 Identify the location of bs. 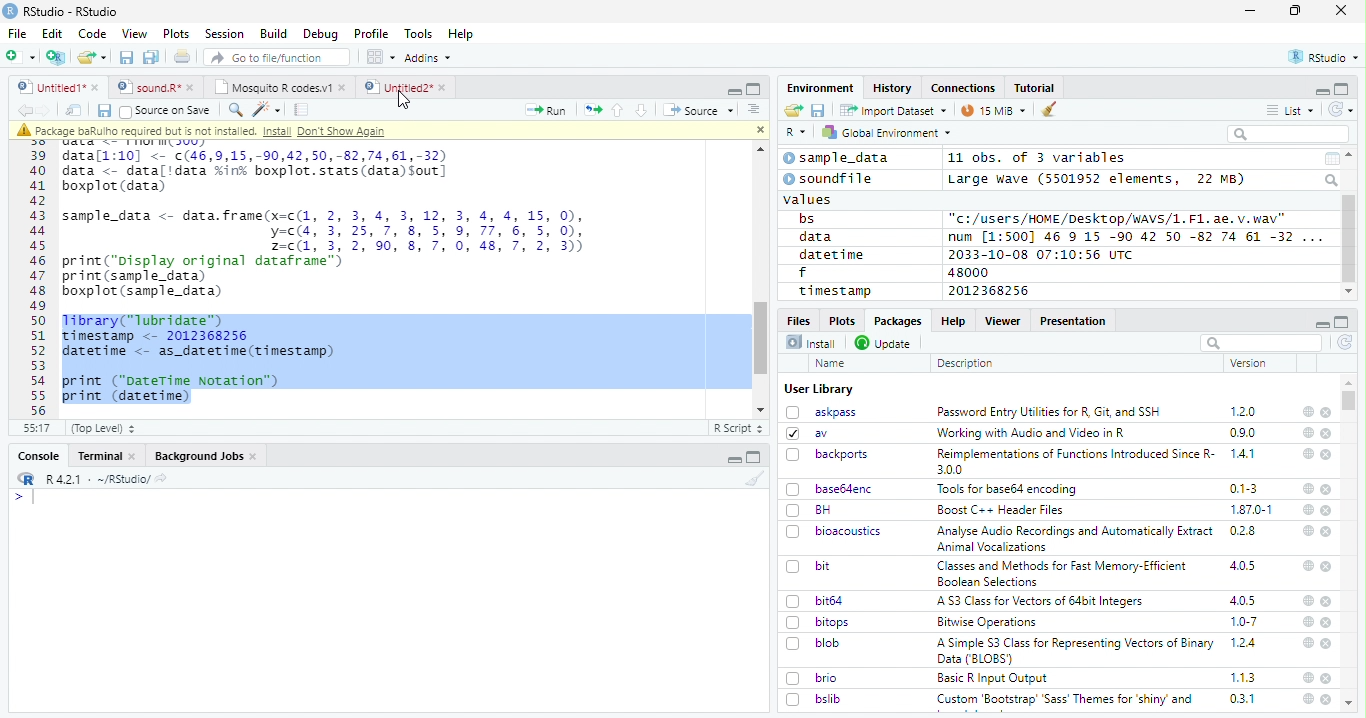
(807, 219).